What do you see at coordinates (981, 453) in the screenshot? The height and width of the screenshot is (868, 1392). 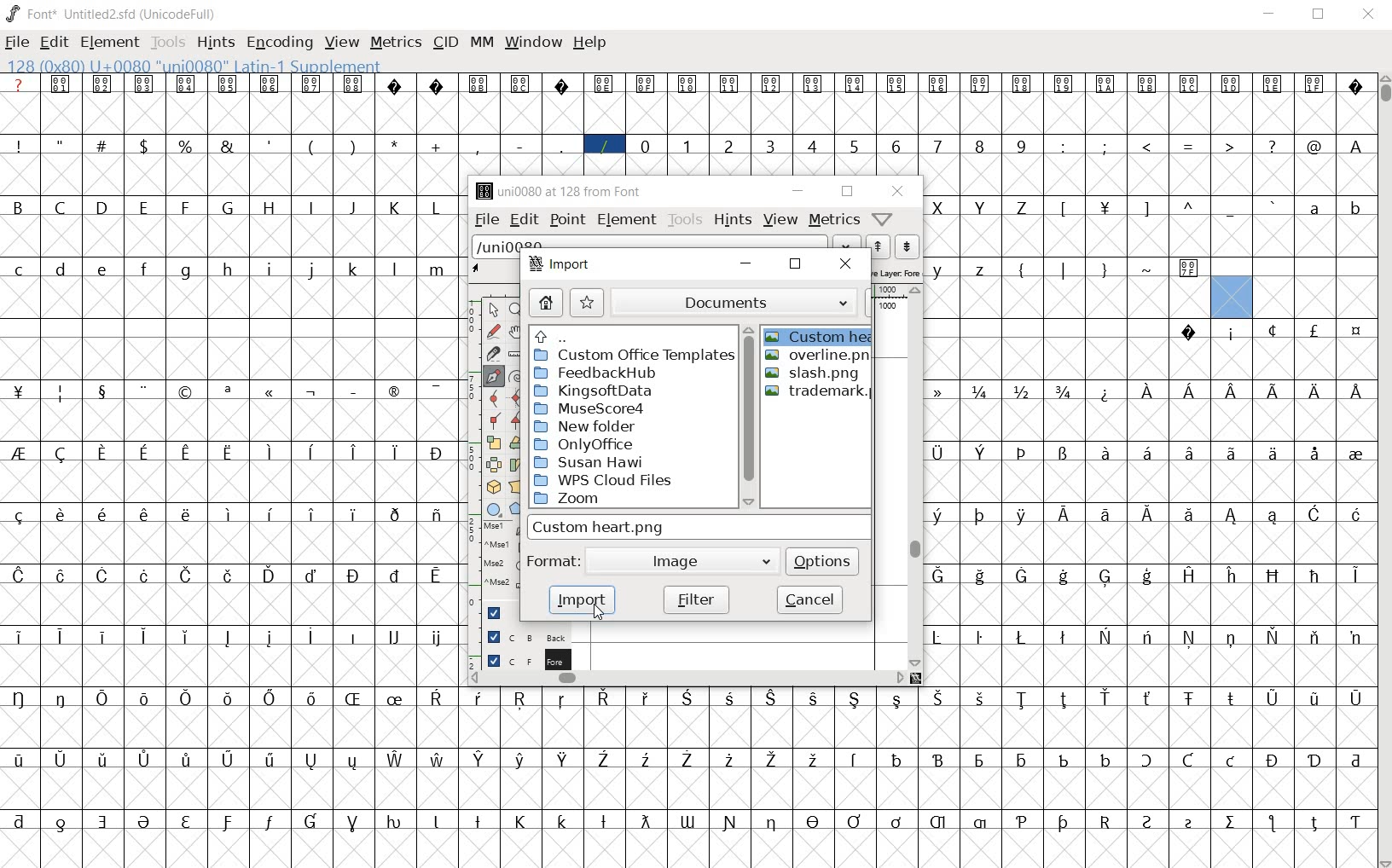 I see `glyph` at bounding box center [981, 453].